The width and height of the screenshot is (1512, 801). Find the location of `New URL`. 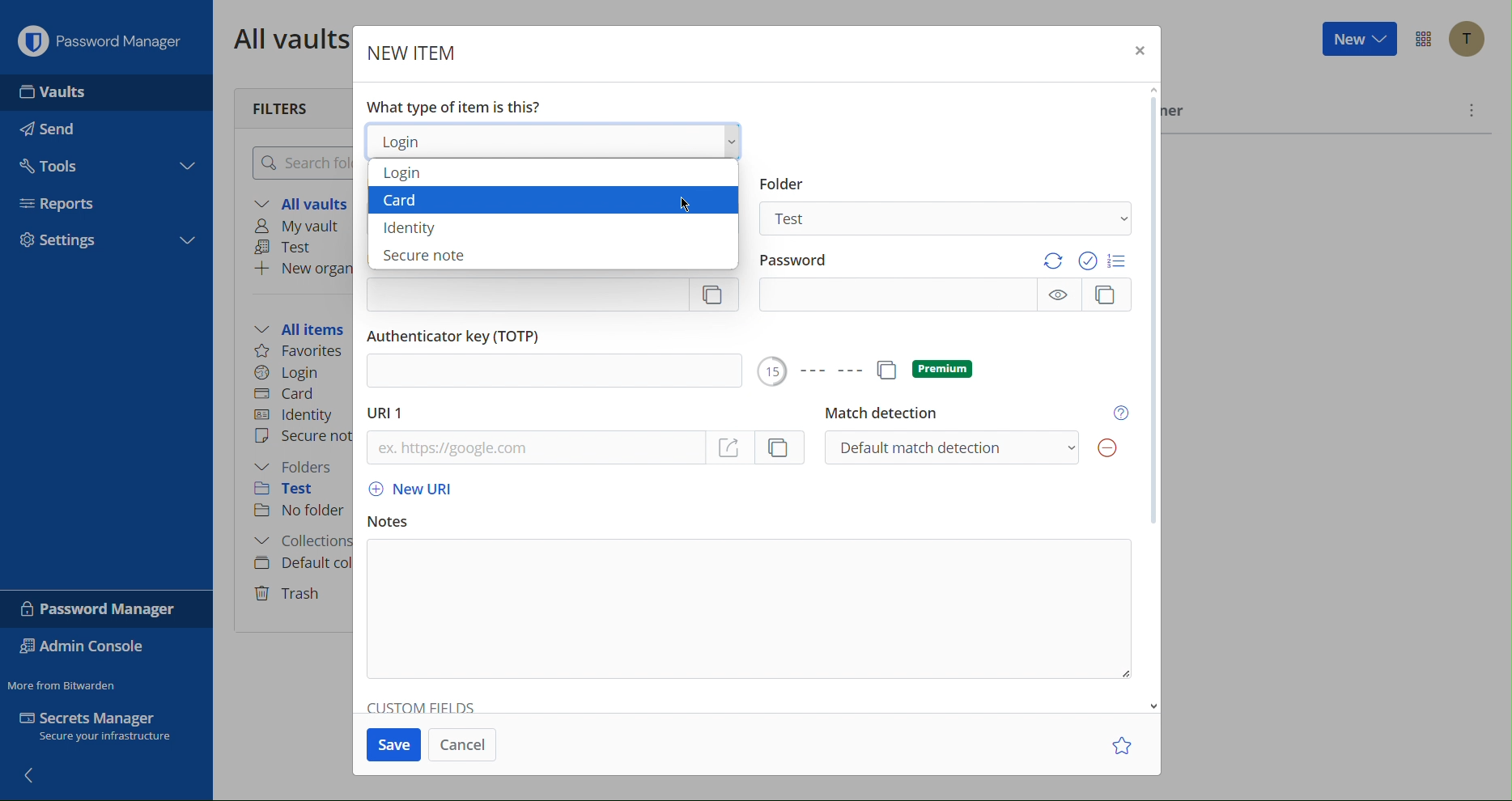

New URL is located at coordinates (415, 489).